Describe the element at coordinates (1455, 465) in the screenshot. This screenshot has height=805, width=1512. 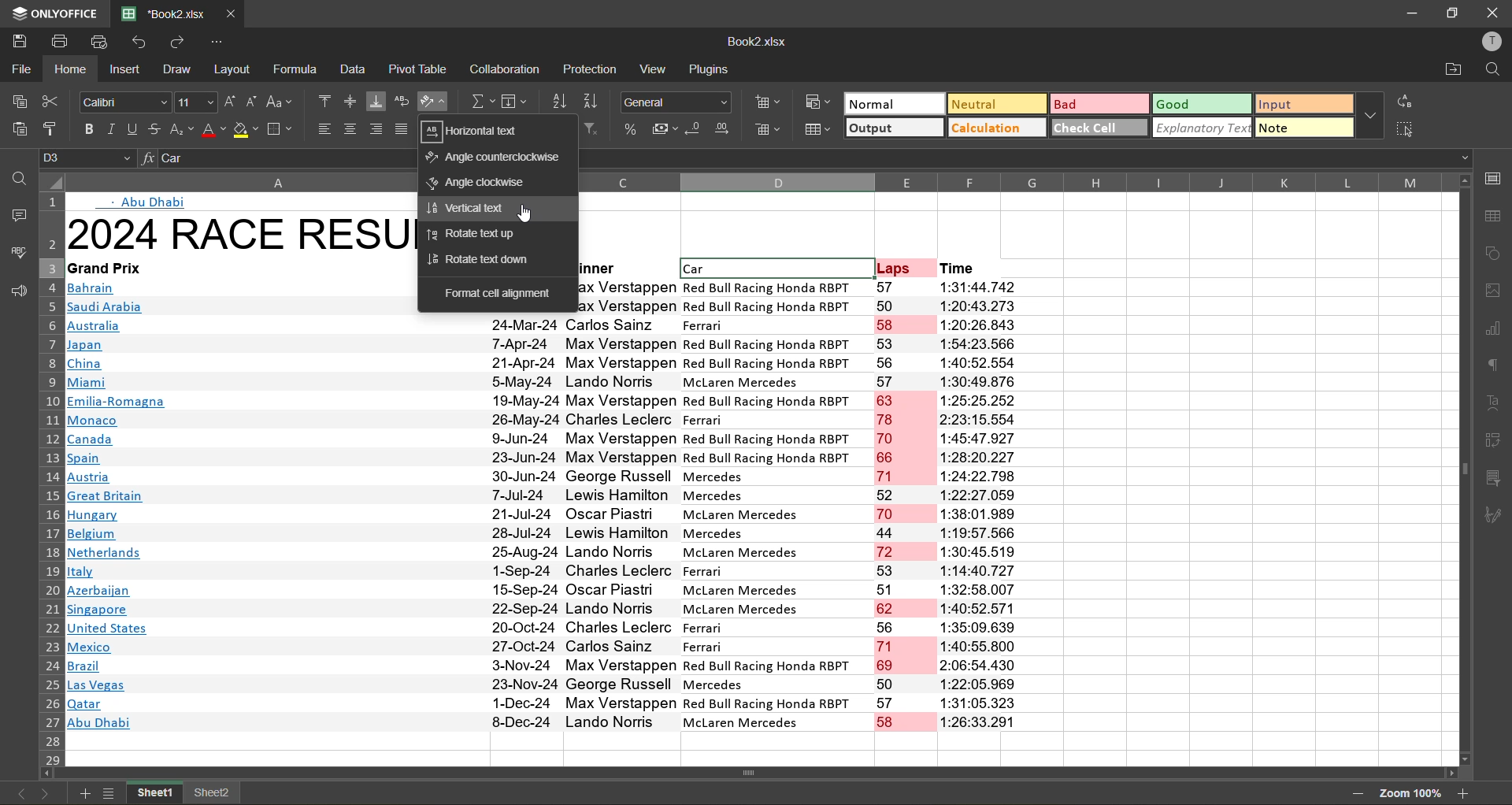
I see `Scrollbar` at that location.